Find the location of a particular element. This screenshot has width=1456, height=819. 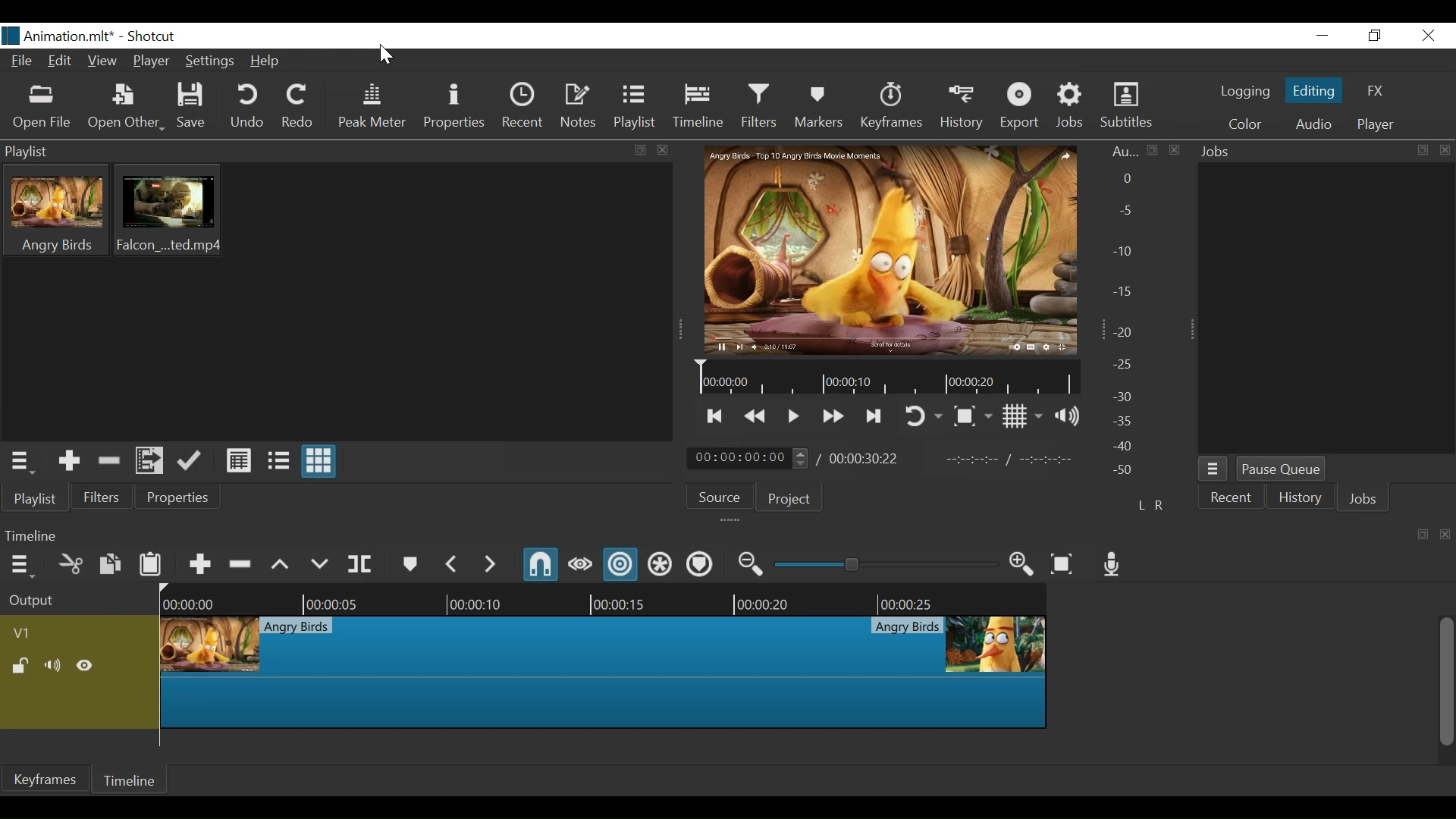

Export is located at coordinates (1020, 108).